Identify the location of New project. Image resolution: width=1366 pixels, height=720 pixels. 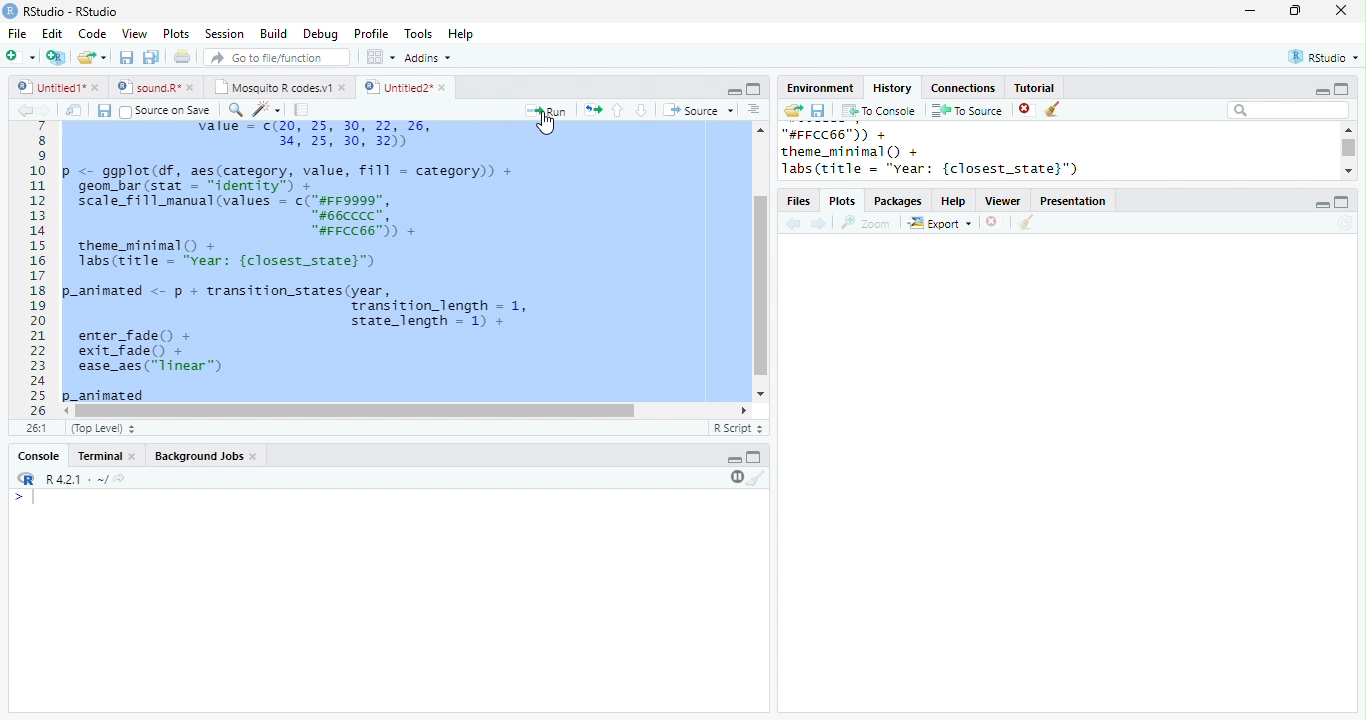
(56, 58).